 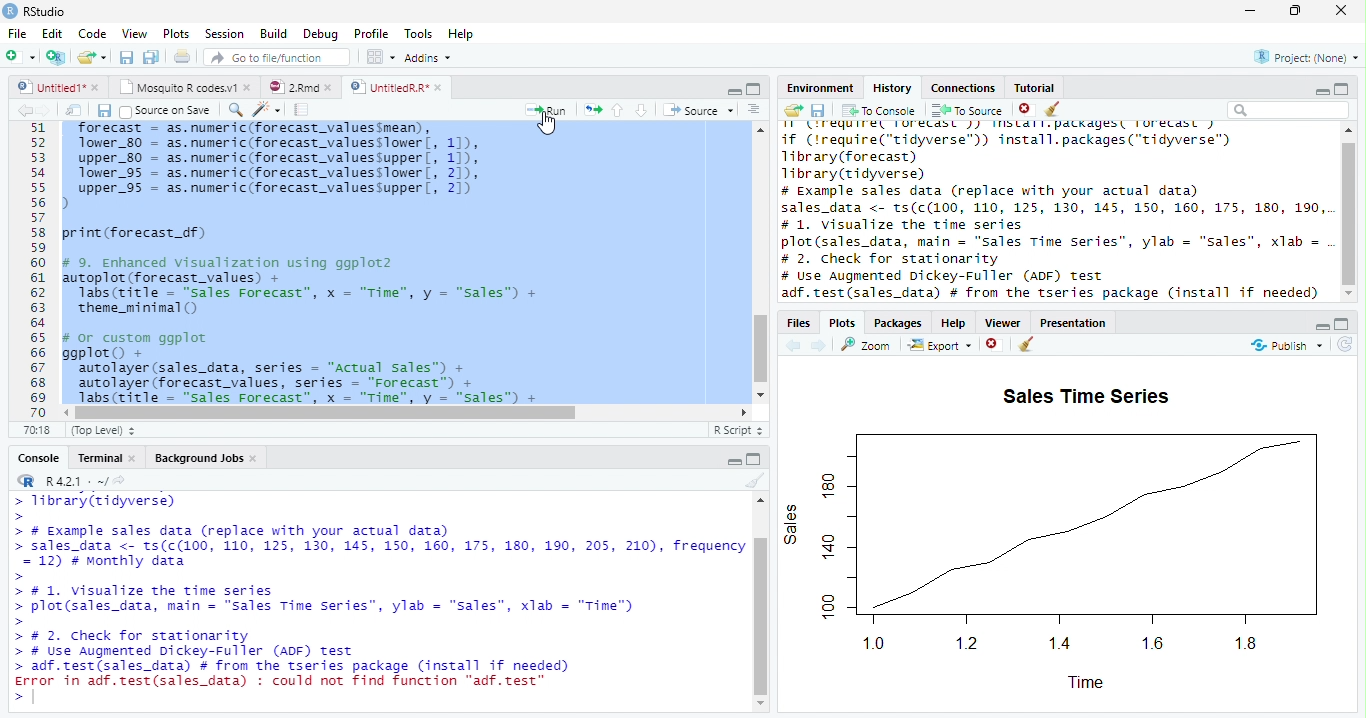 I want to click on Files, so click(x=801, y=323).